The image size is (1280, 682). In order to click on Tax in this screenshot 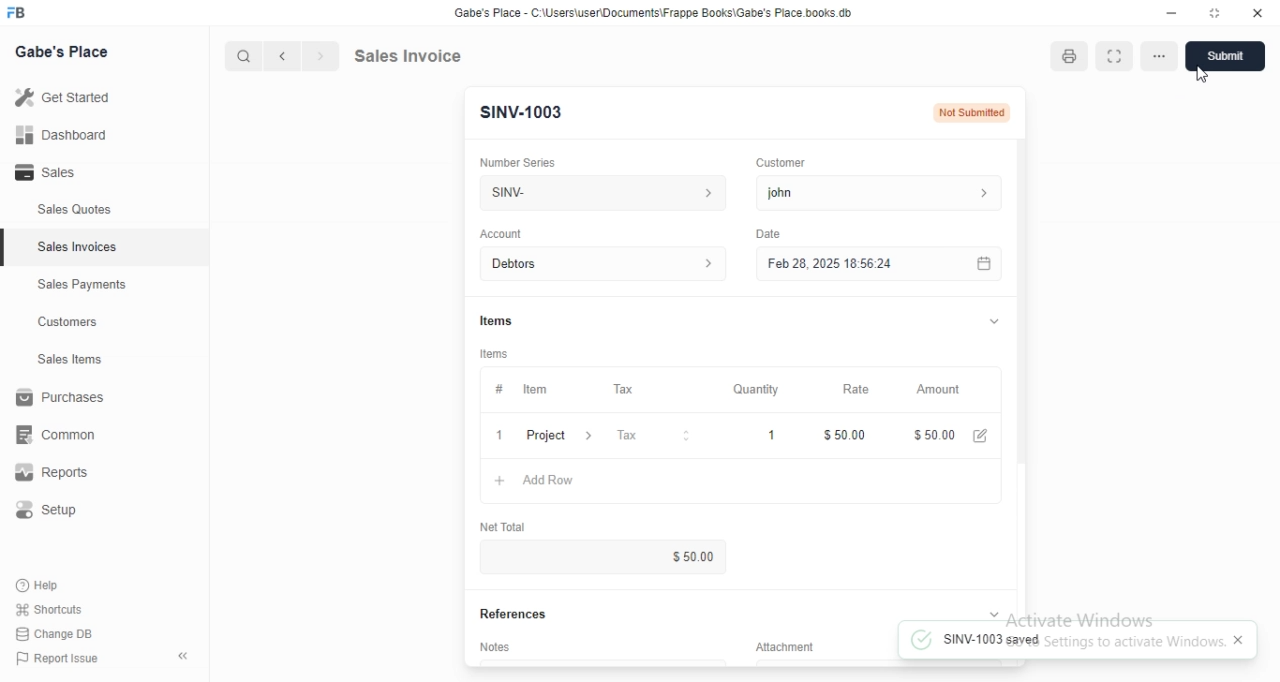, I will do `click(628, 390)`.